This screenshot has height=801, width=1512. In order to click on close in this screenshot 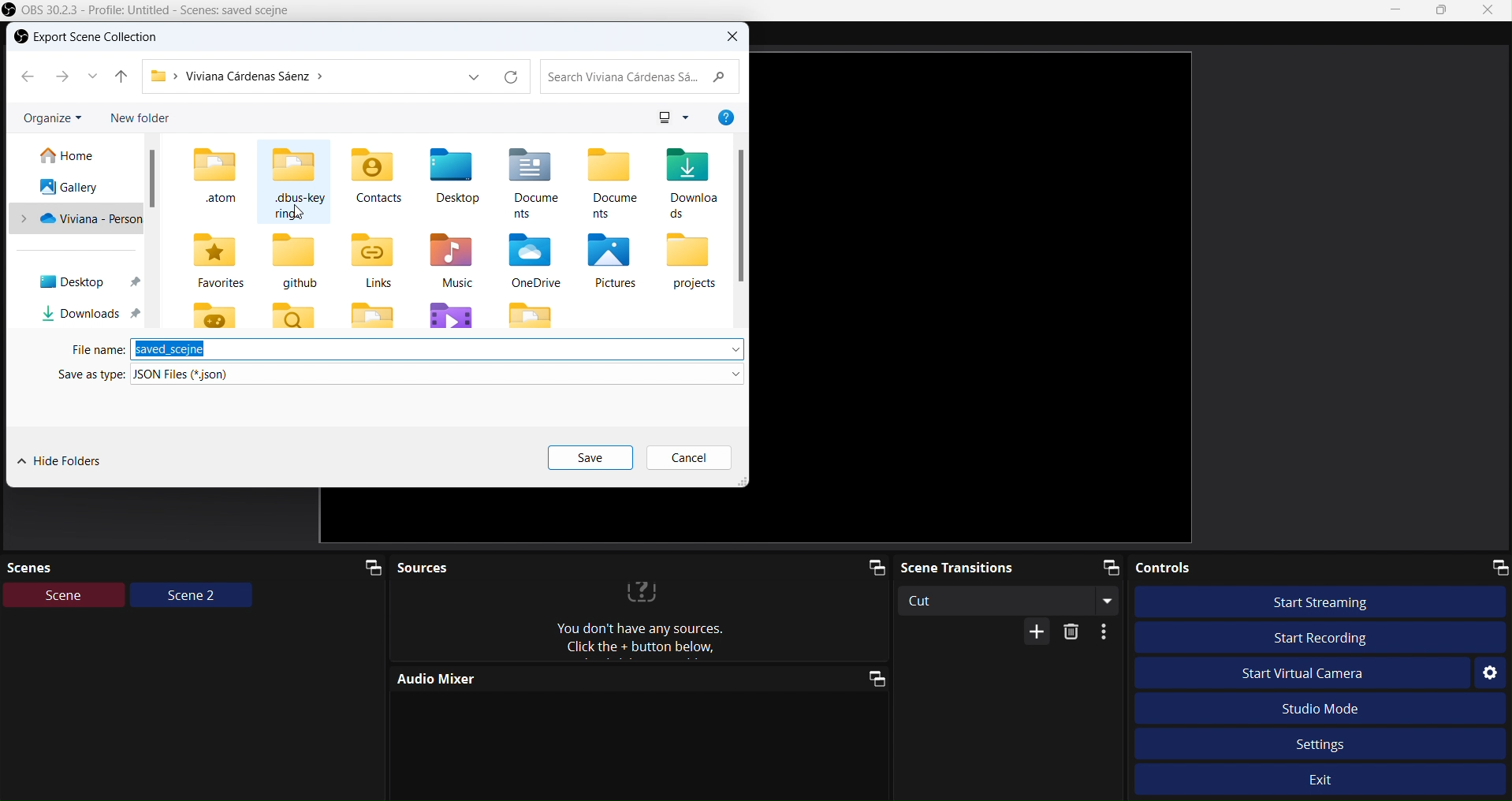, I will do `click(734, 36)`.